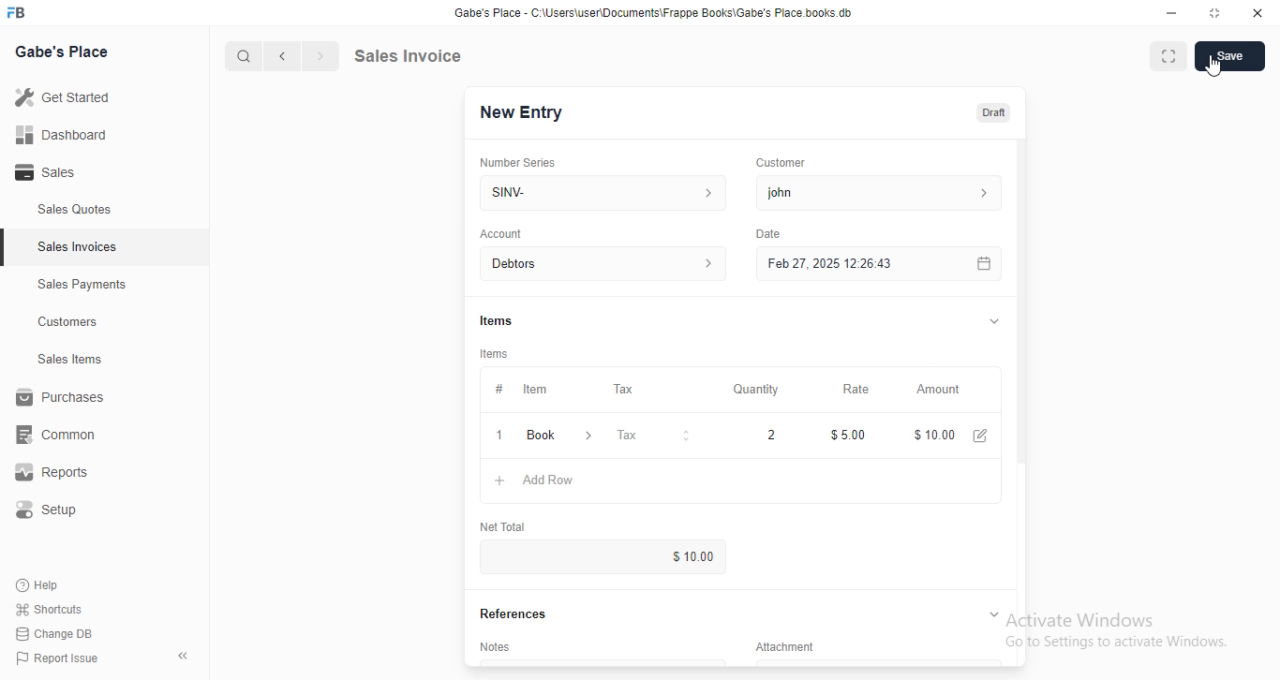 Image resolution: width=1280 pixels, height=680 pixels. Describe the element at coordinates (1169, 14) in the screenshot. I see `Minimize` at that location.